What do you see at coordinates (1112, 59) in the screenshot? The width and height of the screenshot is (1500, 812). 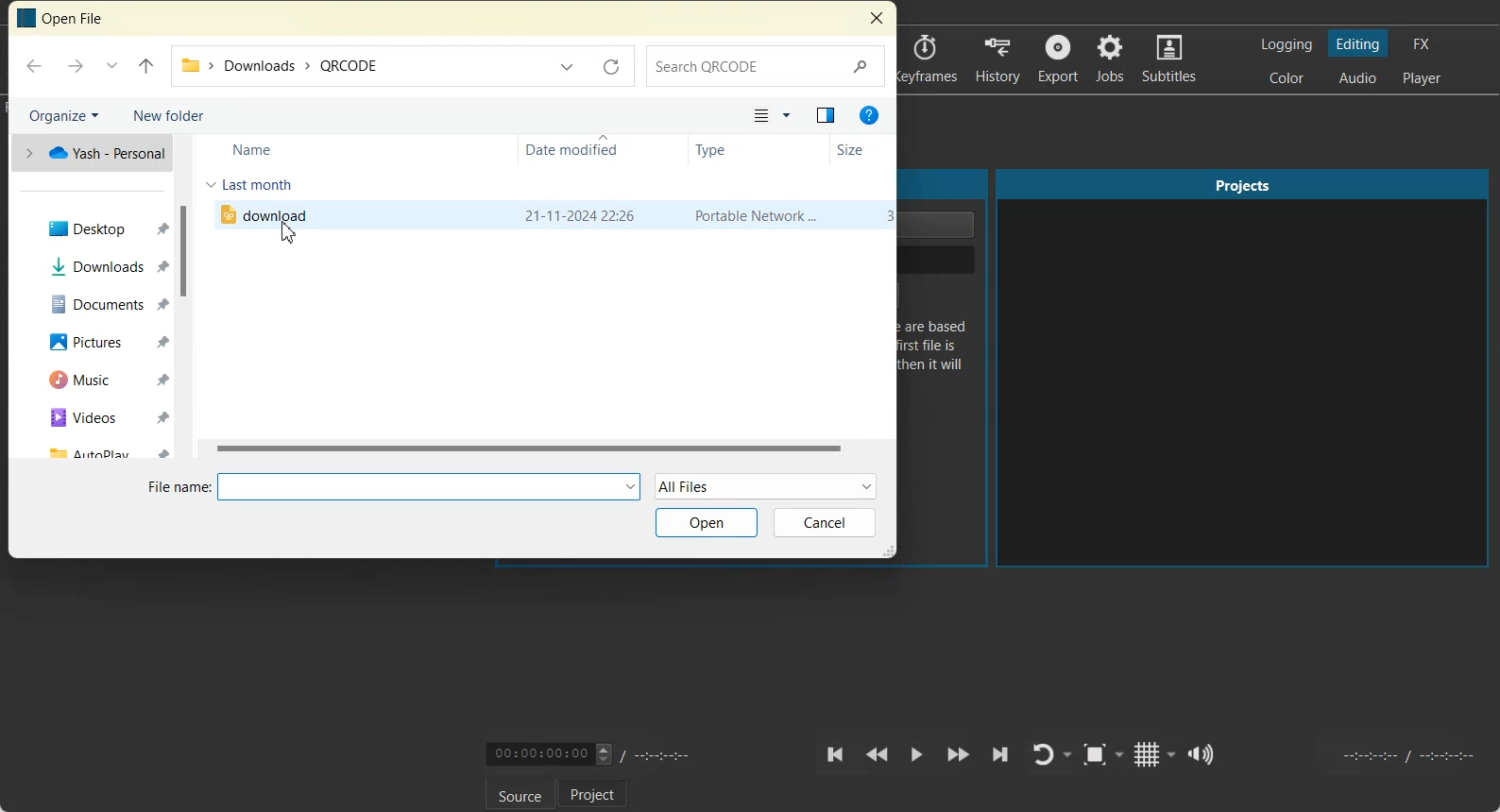 I see `Jobs` at bounding box center [1112, 59].